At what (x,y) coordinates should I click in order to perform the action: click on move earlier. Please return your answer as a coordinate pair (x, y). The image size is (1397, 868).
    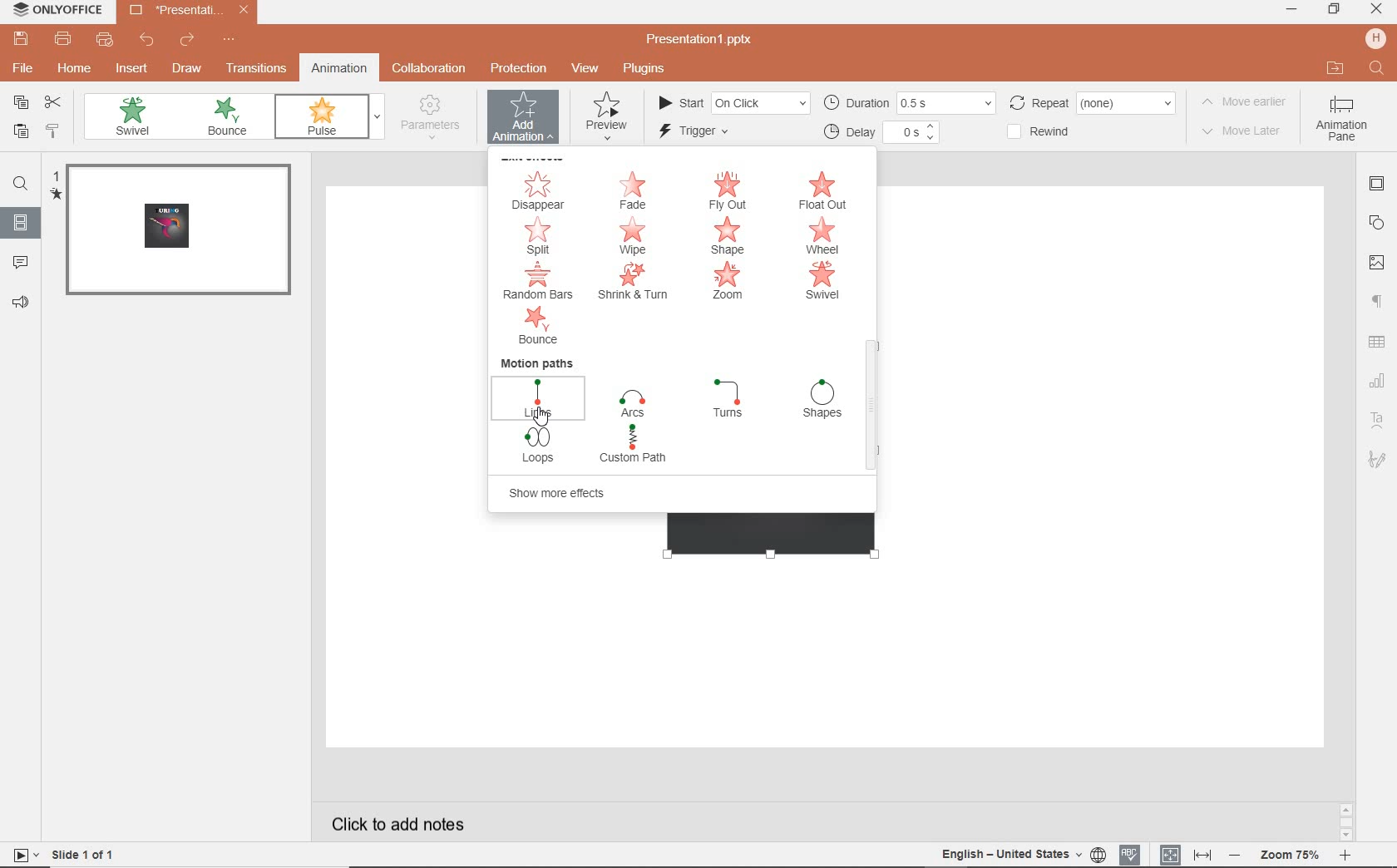
    Looking at the image, I should click on (1242, 101).